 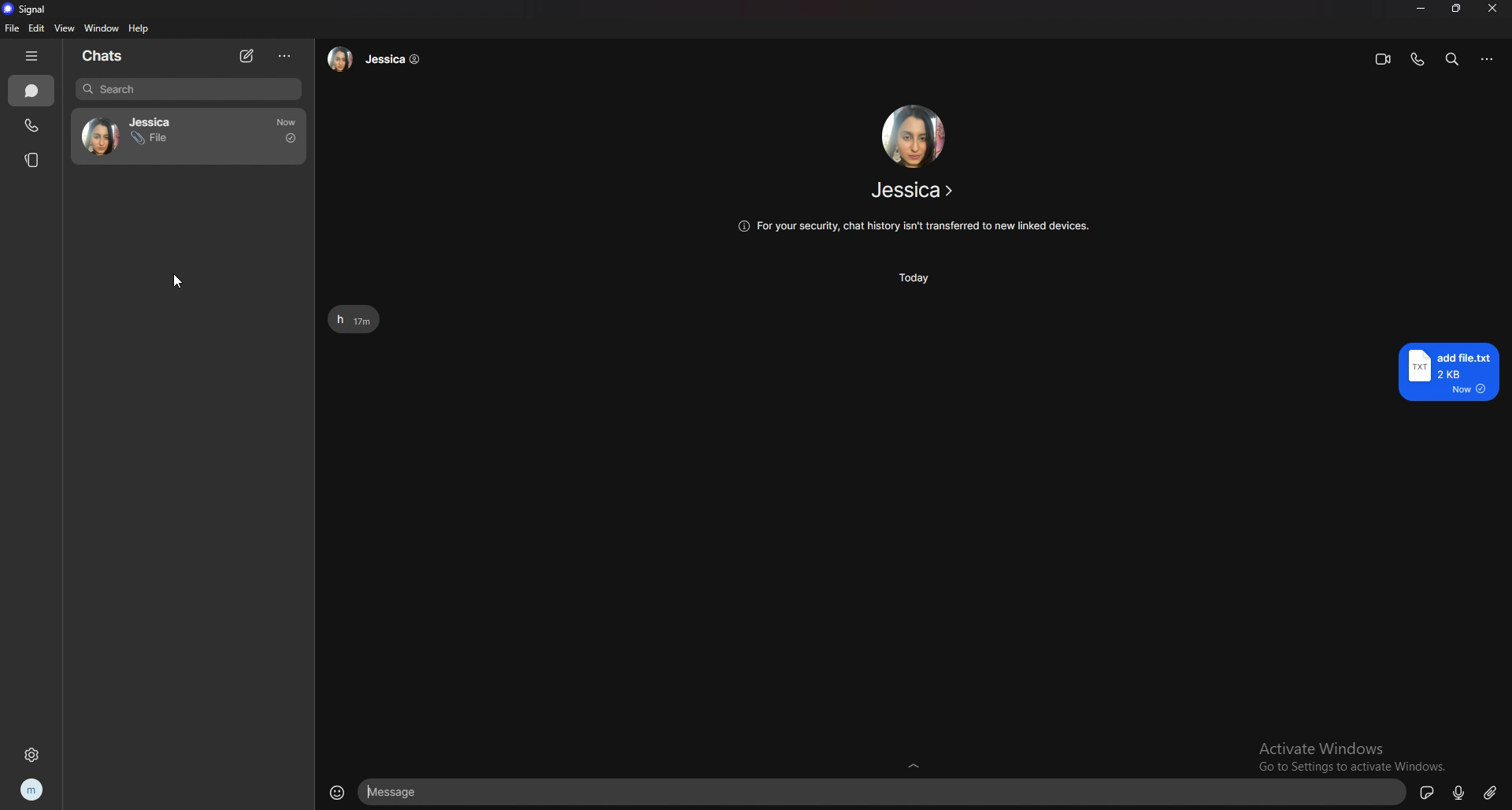 What do you see at coordinates (139, 28) in the screenshot?
I see `help` at bounding box center [139, 28].